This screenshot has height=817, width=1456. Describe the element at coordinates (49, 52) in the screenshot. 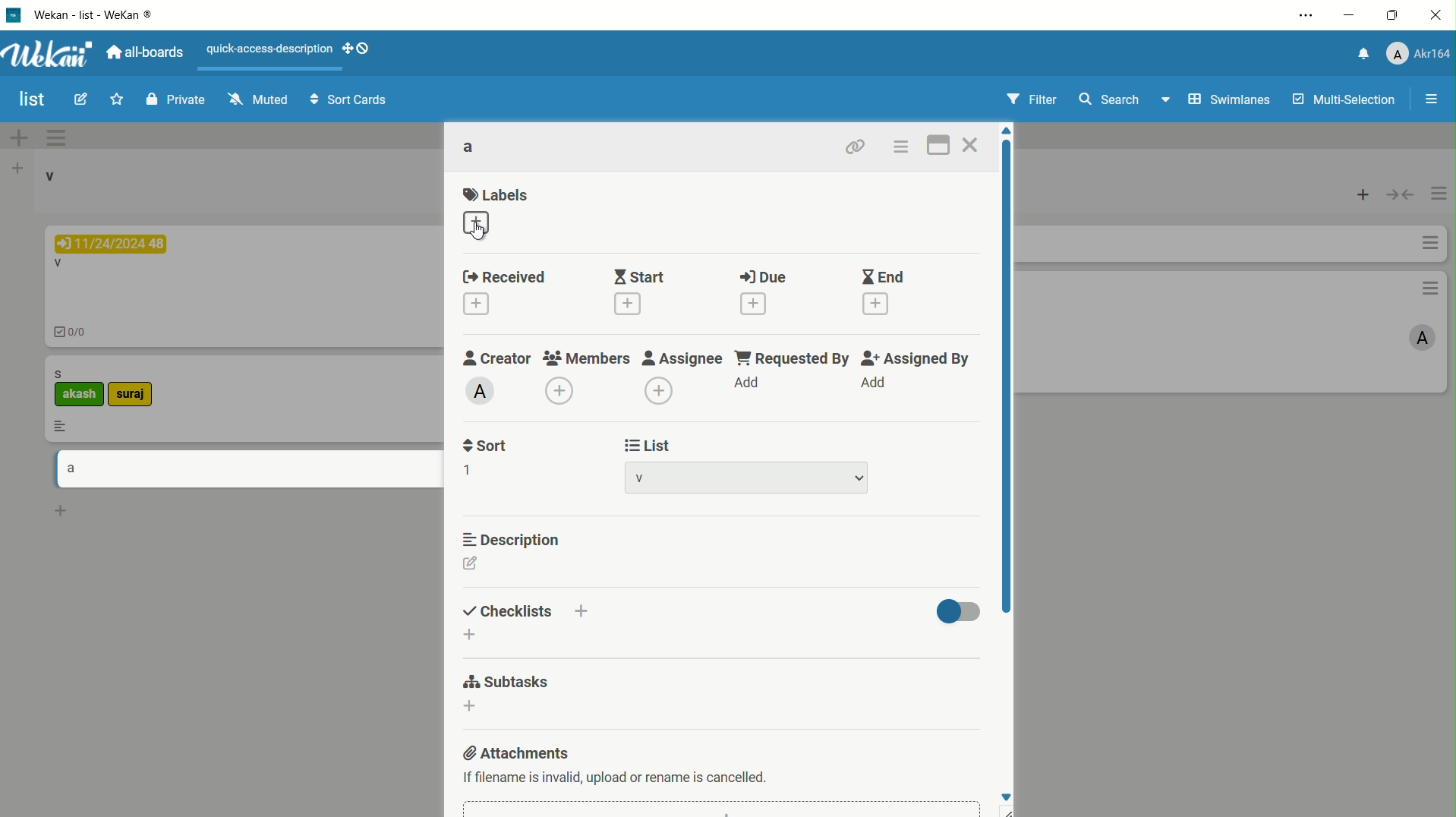

I see `app logo` at that location.